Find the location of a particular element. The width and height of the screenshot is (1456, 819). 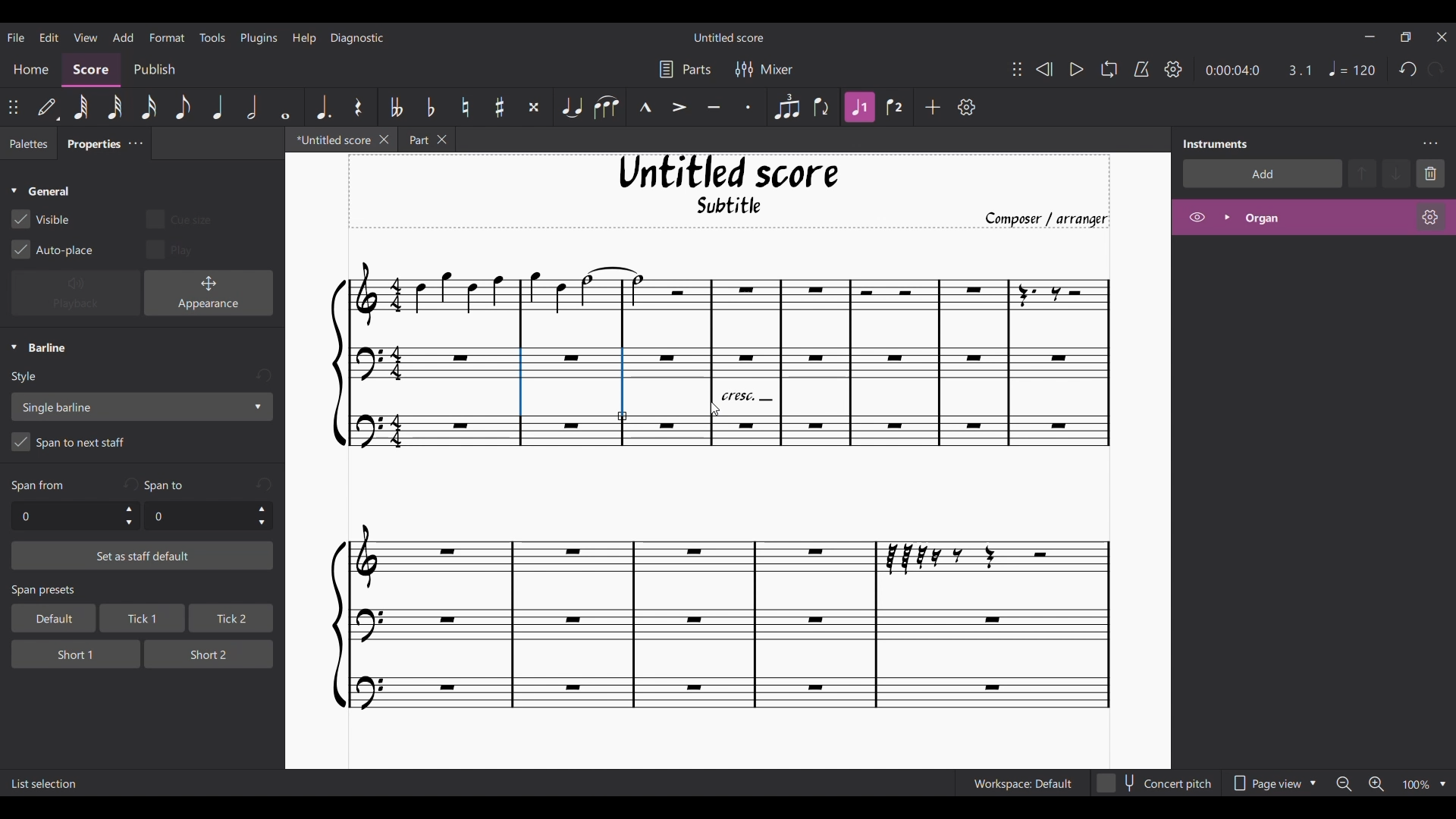

Default is located at coordinates (48, 108).